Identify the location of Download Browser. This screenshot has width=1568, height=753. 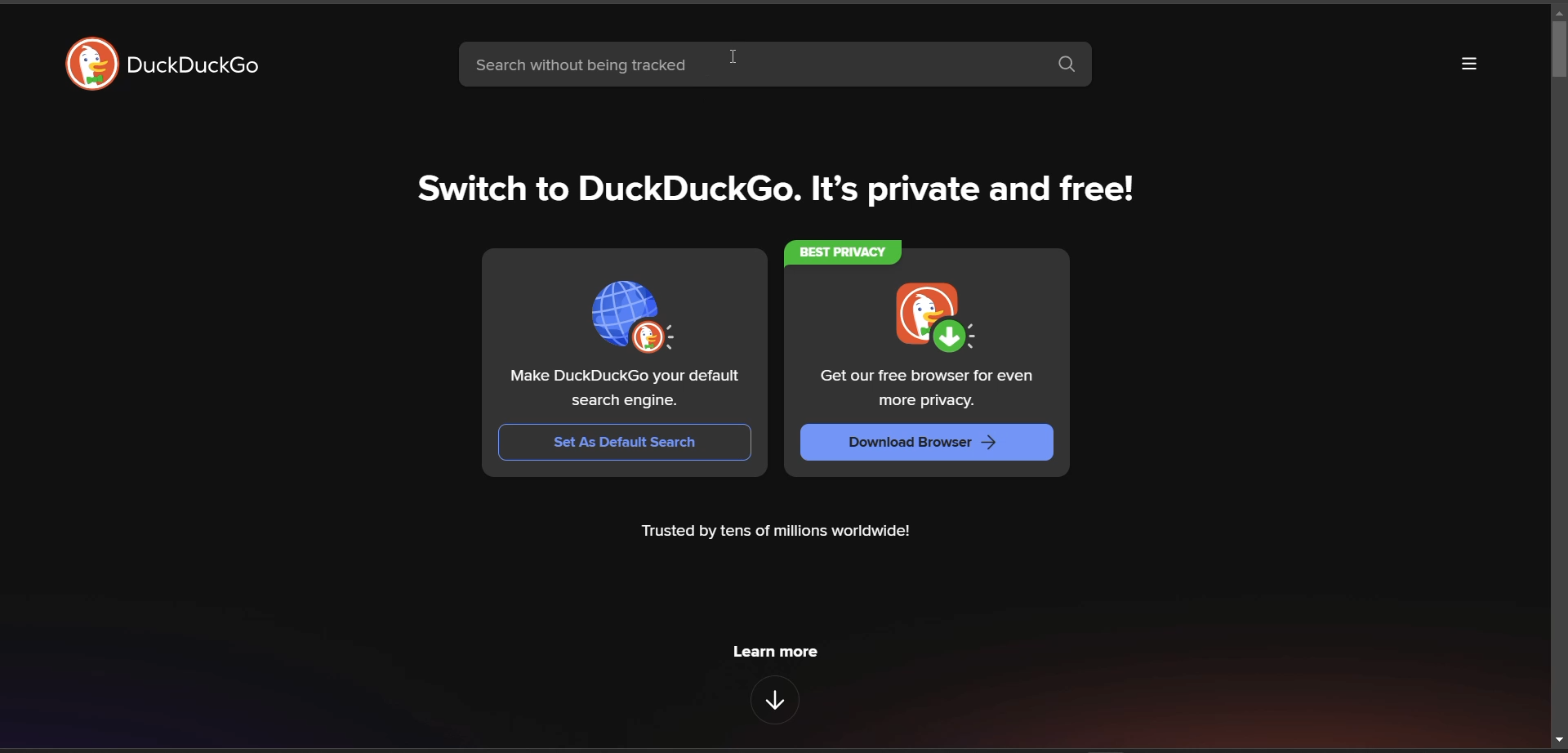
(929, 444).